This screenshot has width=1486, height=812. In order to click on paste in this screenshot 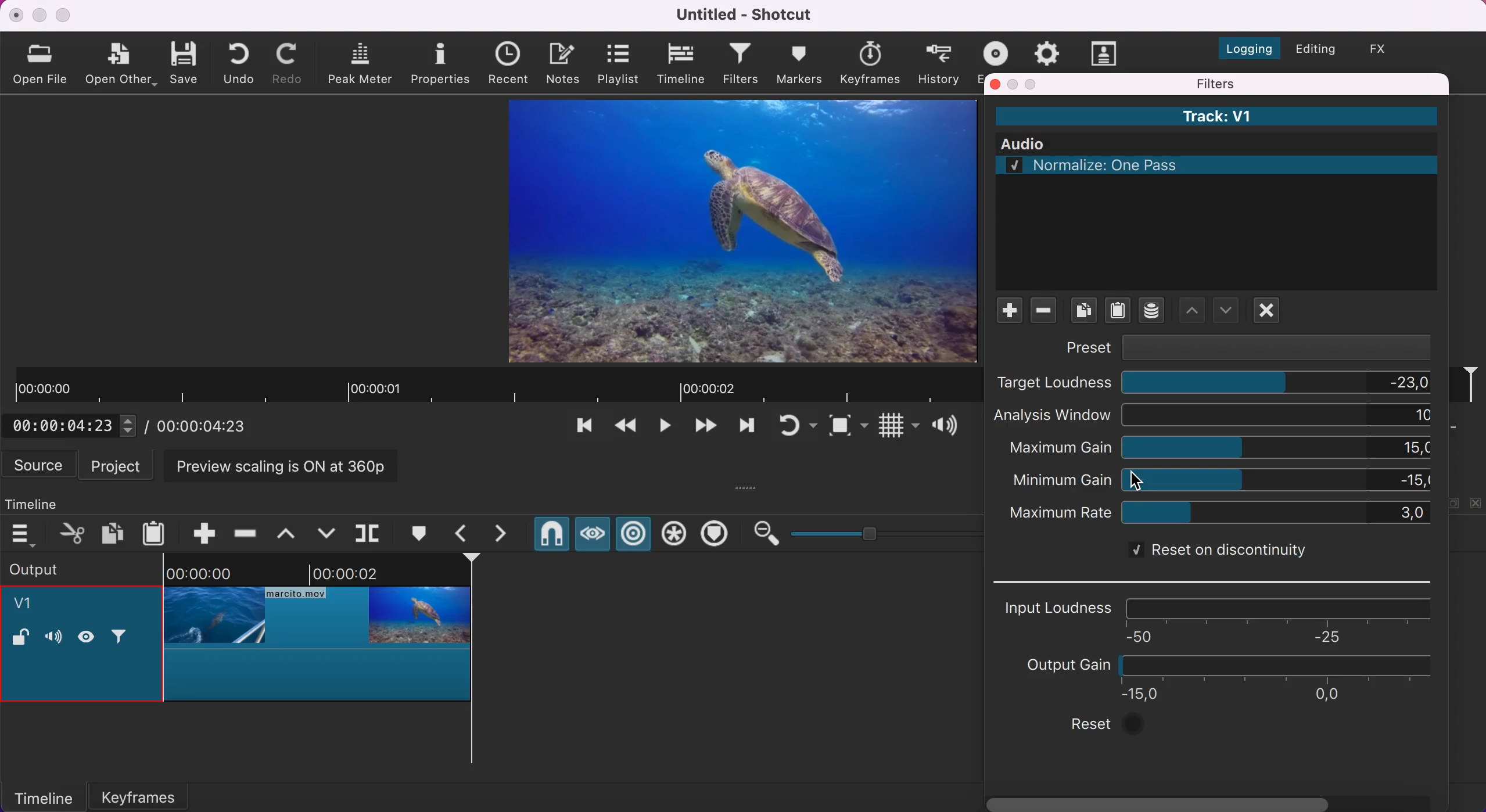, I will do `click(157, 531)`.